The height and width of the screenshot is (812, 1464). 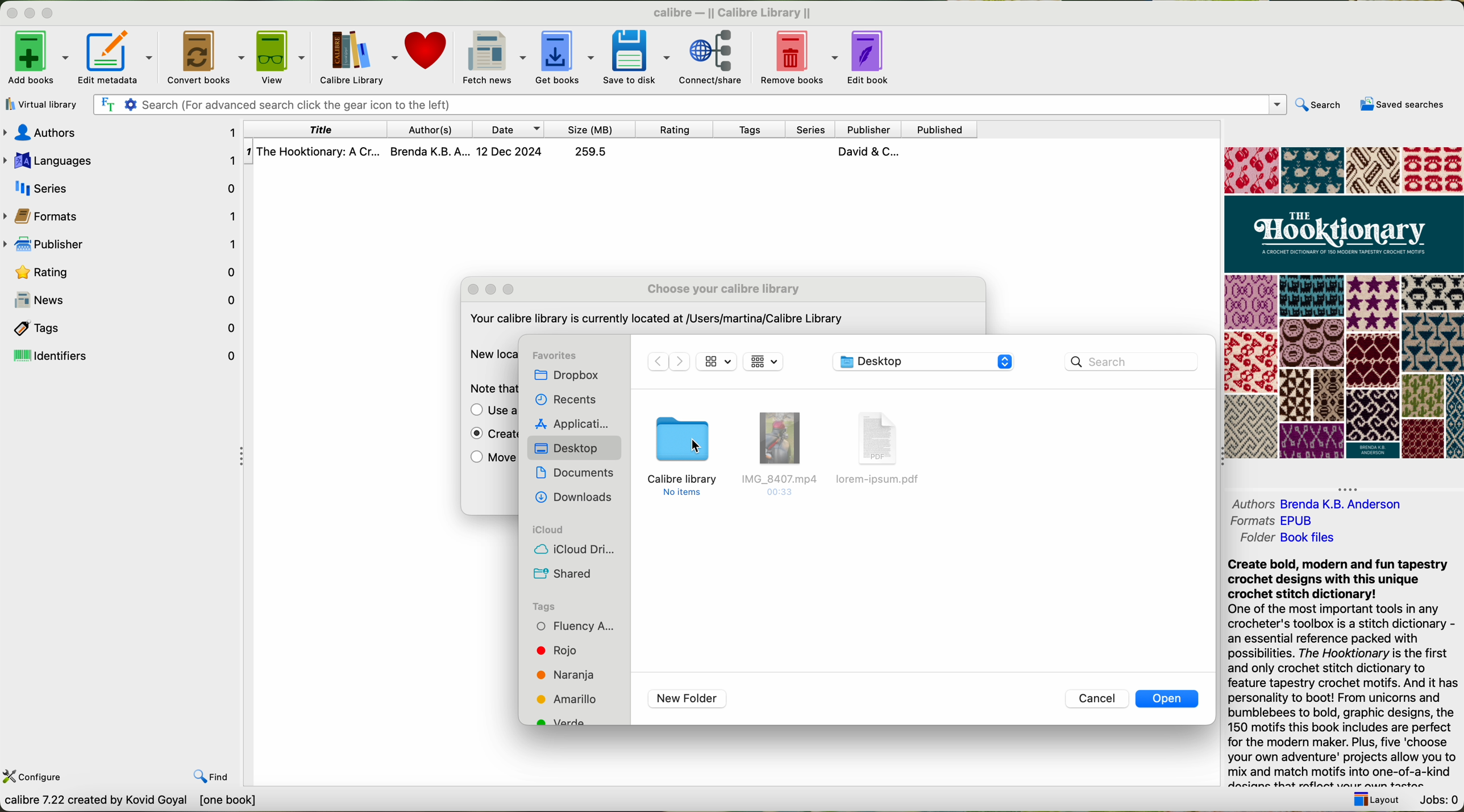 I want to click on authors Brenda K. B. Andreson, so click(x=1316, y=504).